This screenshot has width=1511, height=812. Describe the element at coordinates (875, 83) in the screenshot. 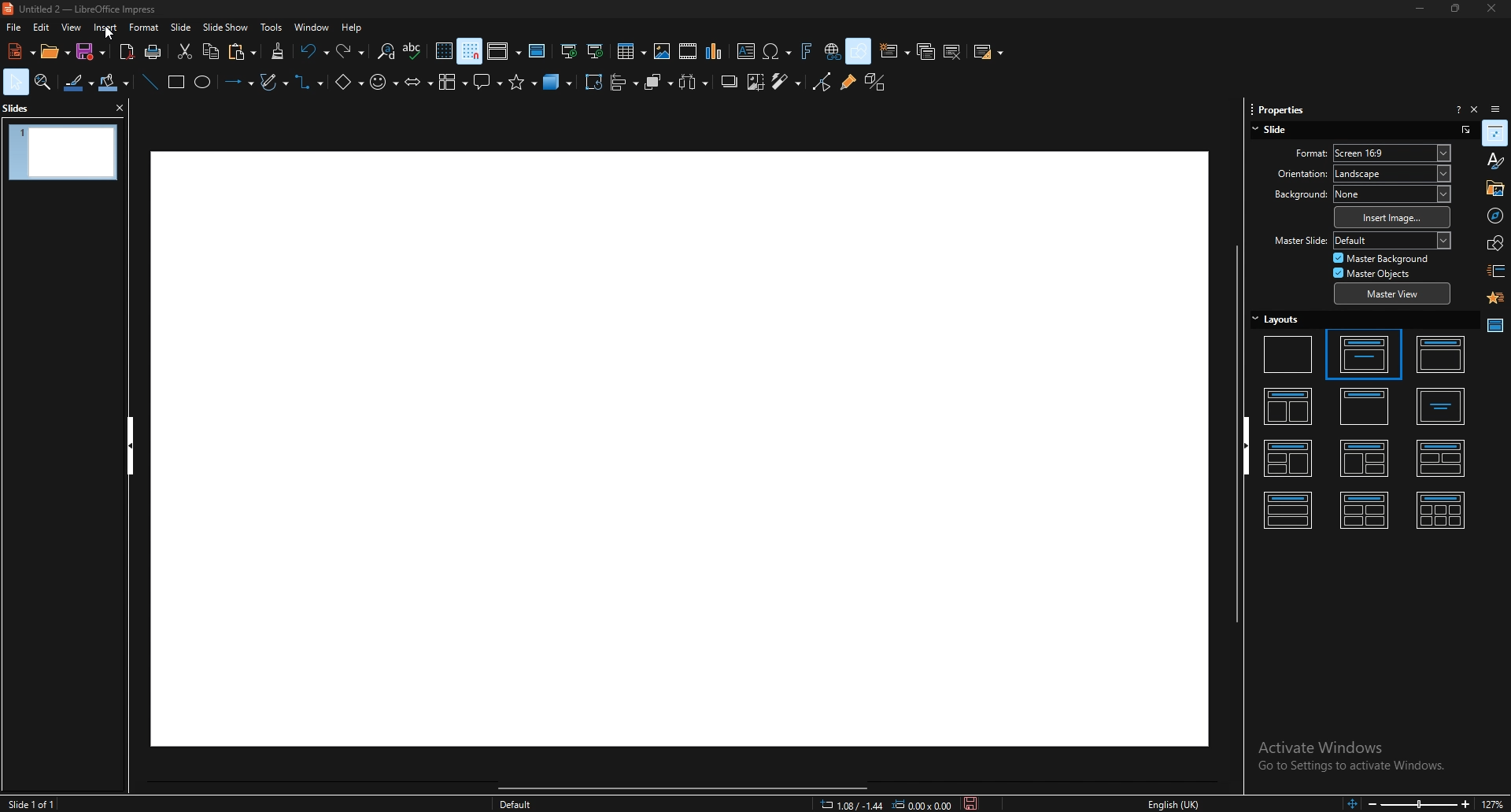

I see `toggle extrusion` at that location.